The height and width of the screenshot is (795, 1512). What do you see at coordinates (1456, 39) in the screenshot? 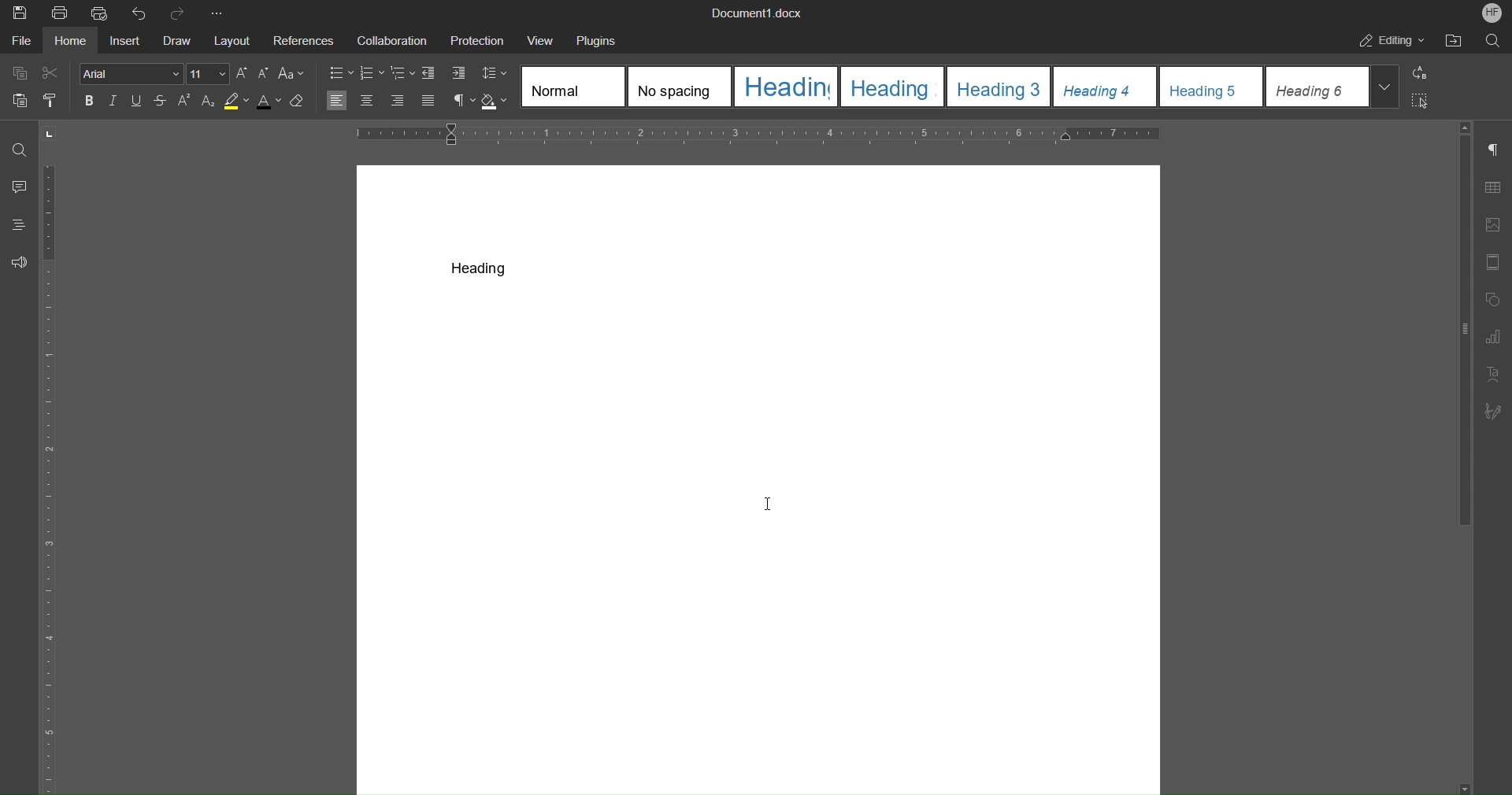
I see `Open File Location` at bounding box center [1456, 39].